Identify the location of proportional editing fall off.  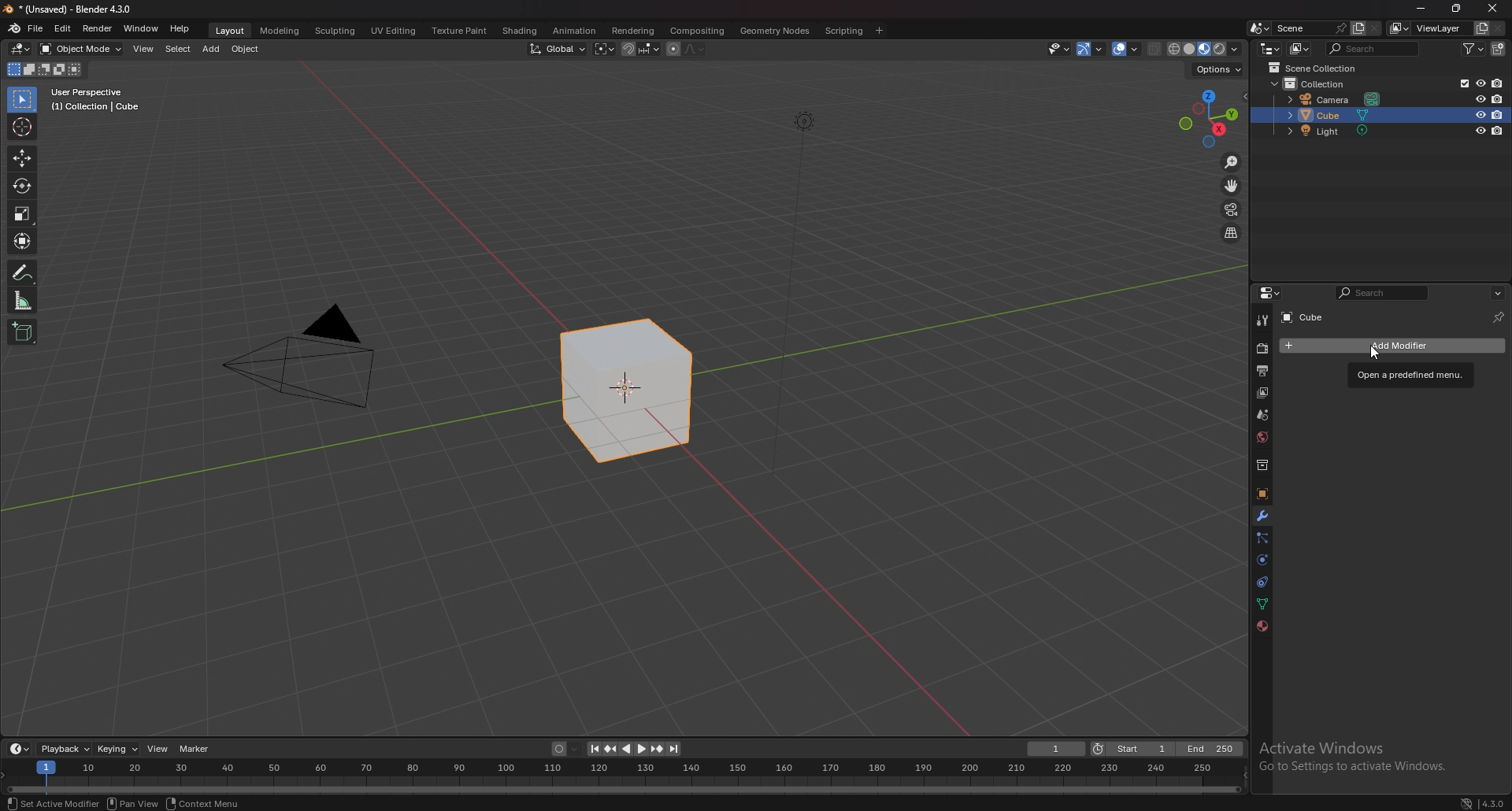
(695, 50).